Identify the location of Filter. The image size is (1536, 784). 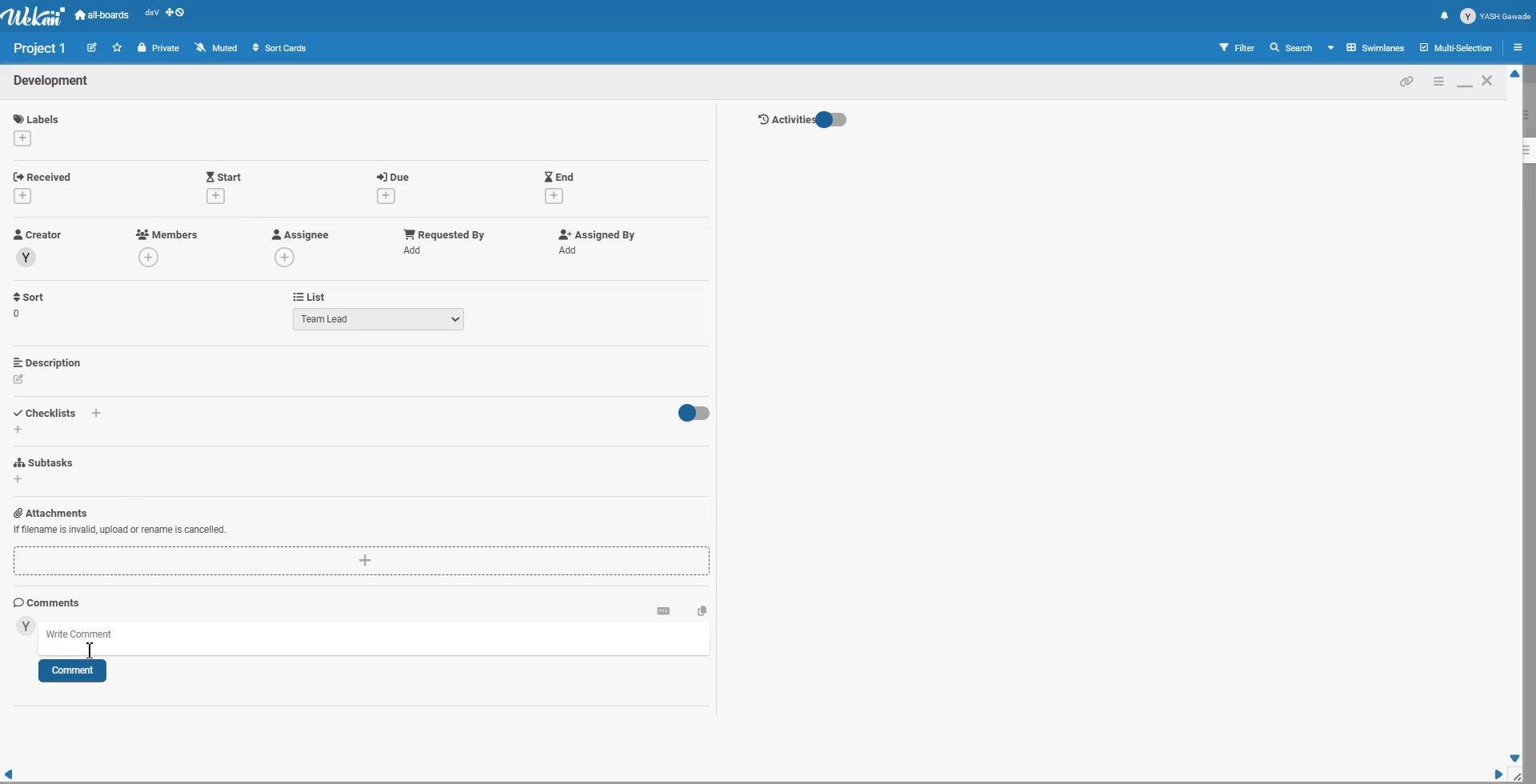
(1238, 47).